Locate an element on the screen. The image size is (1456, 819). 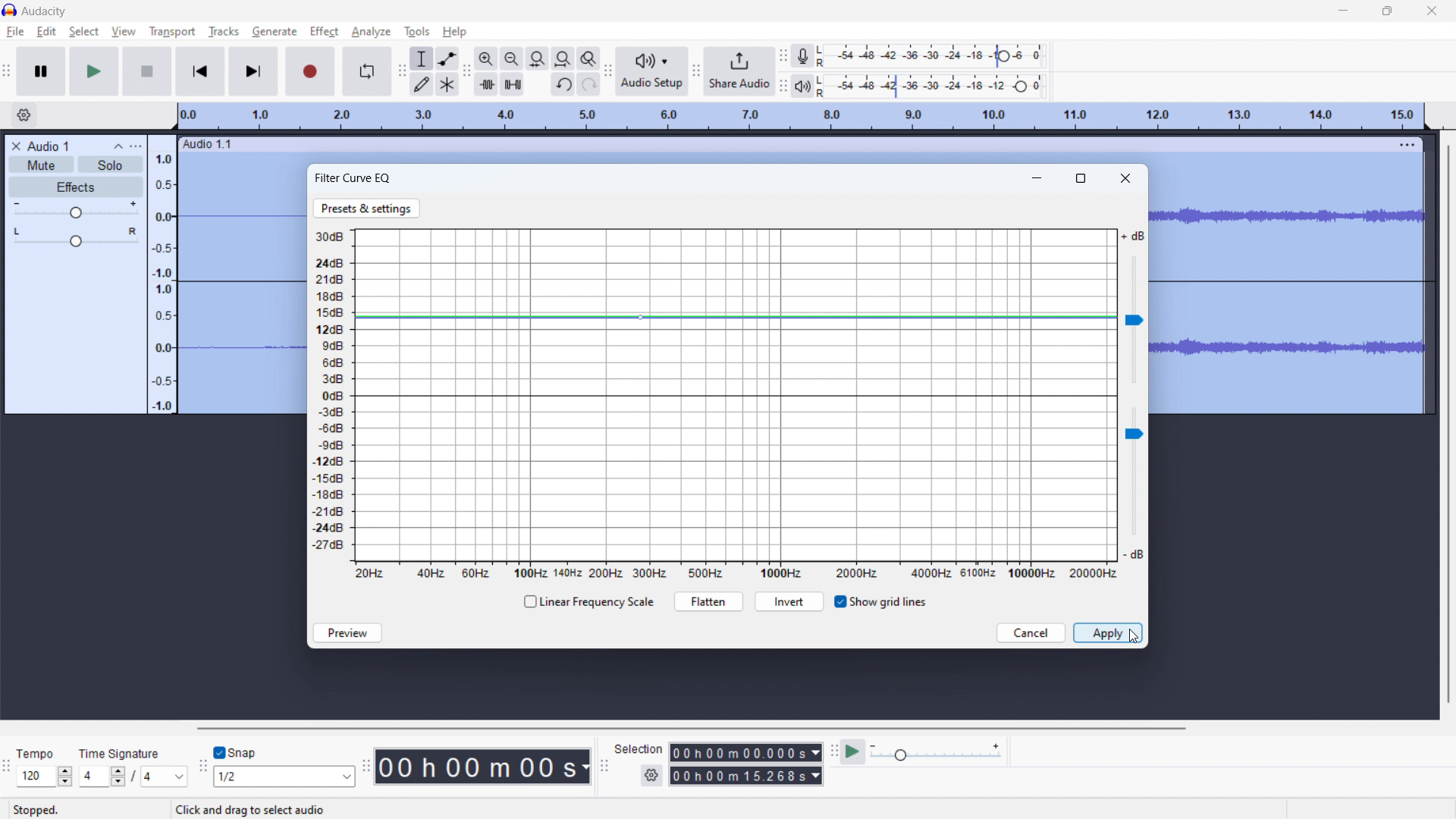
tools is located at coordinates (416, 32).